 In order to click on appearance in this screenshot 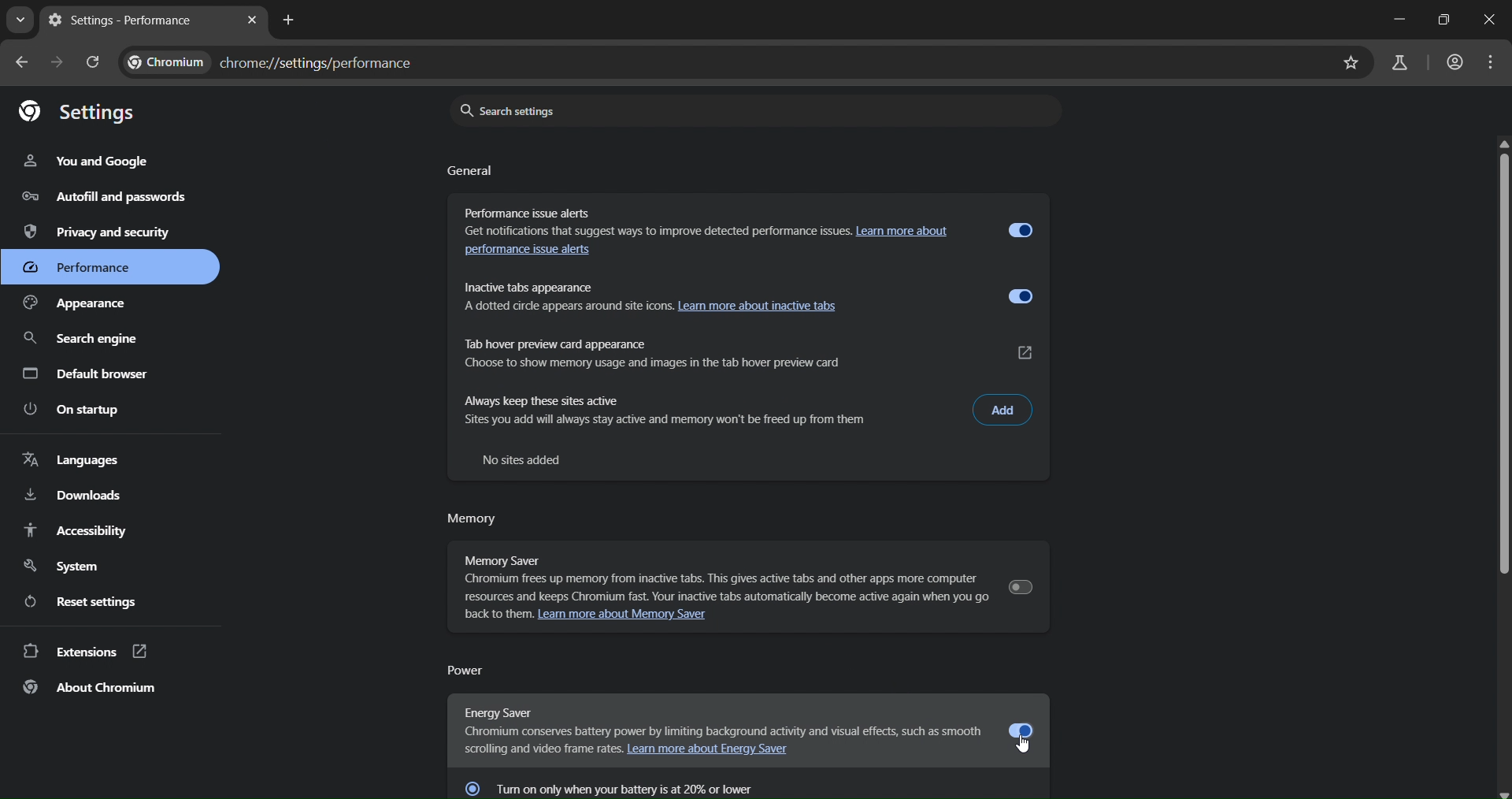, I will do `click(87, 304)`.